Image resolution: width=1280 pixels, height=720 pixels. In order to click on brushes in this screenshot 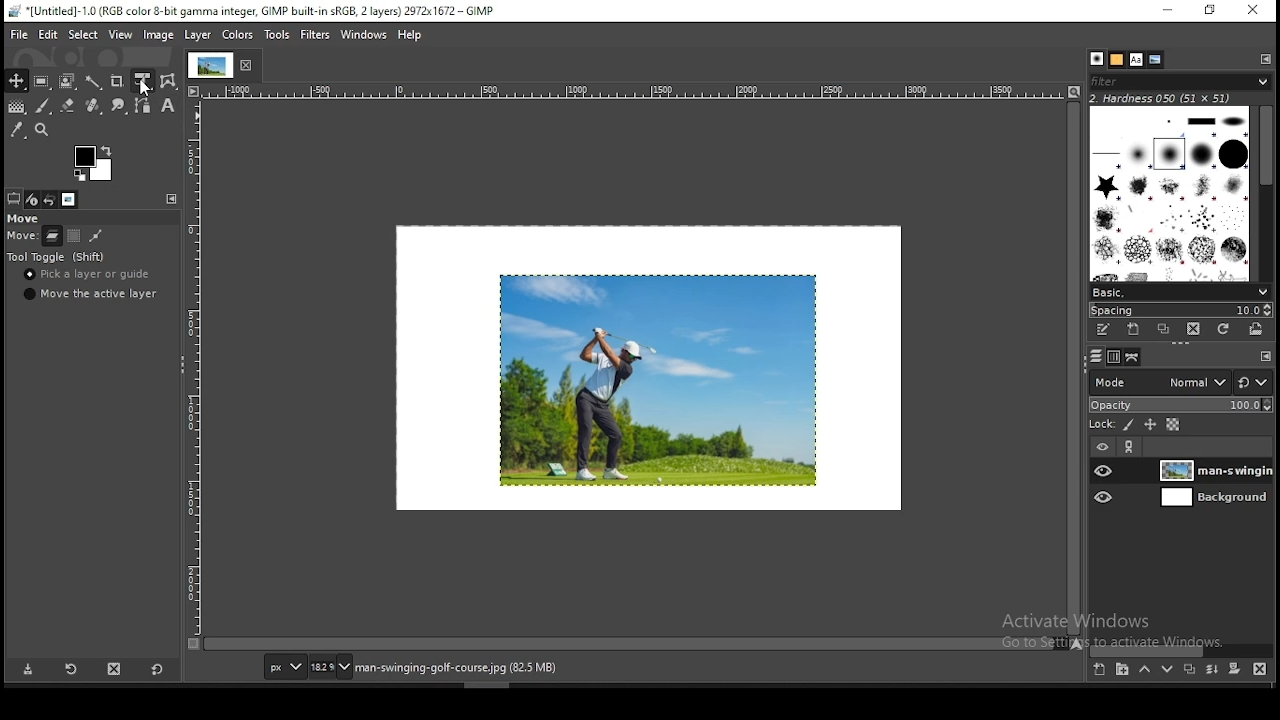, I will do `click(1095, 59)`.